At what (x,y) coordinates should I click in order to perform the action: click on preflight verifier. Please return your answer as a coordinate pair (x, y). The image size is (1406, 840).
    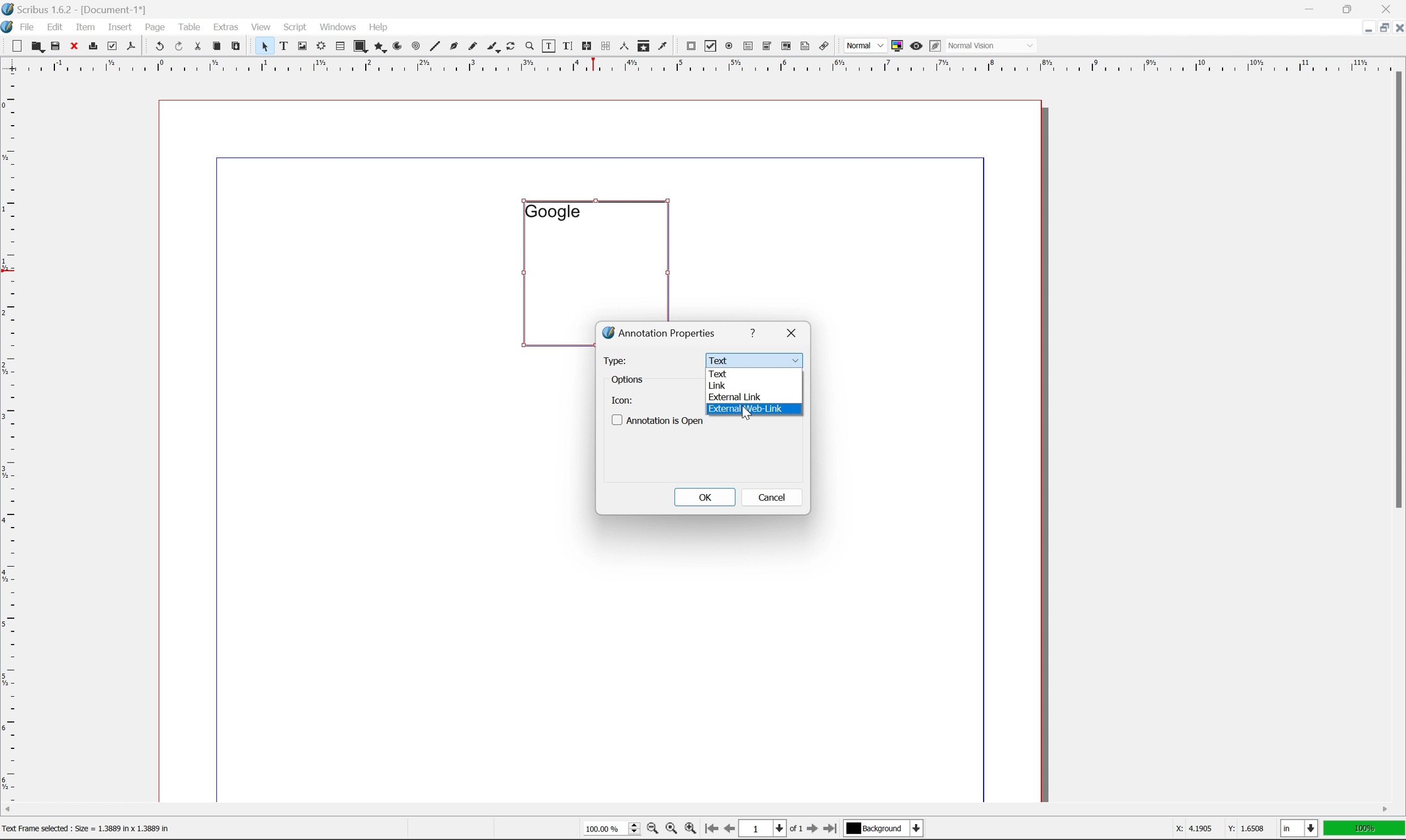
    Looking at the image, I should click on (113, 45).